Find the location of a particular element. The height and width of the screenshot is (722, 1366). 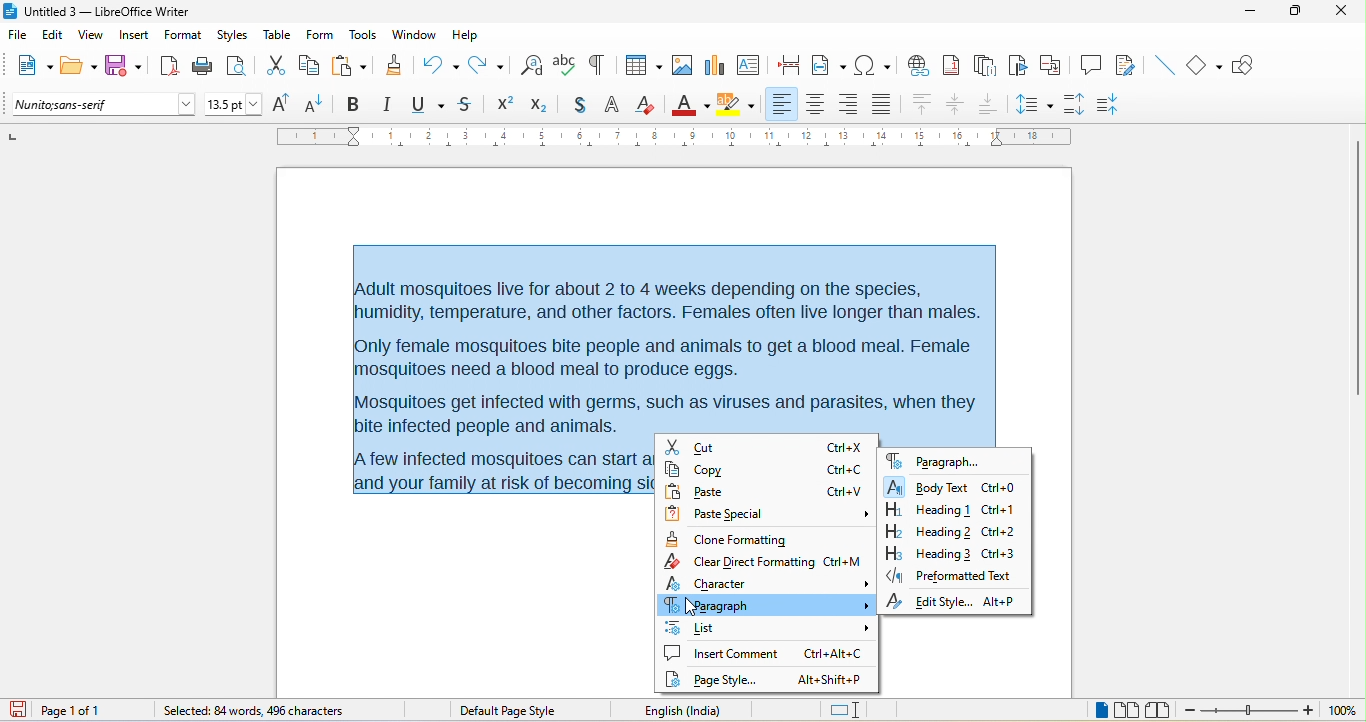

find and replace is located at coordinates (532, 64).